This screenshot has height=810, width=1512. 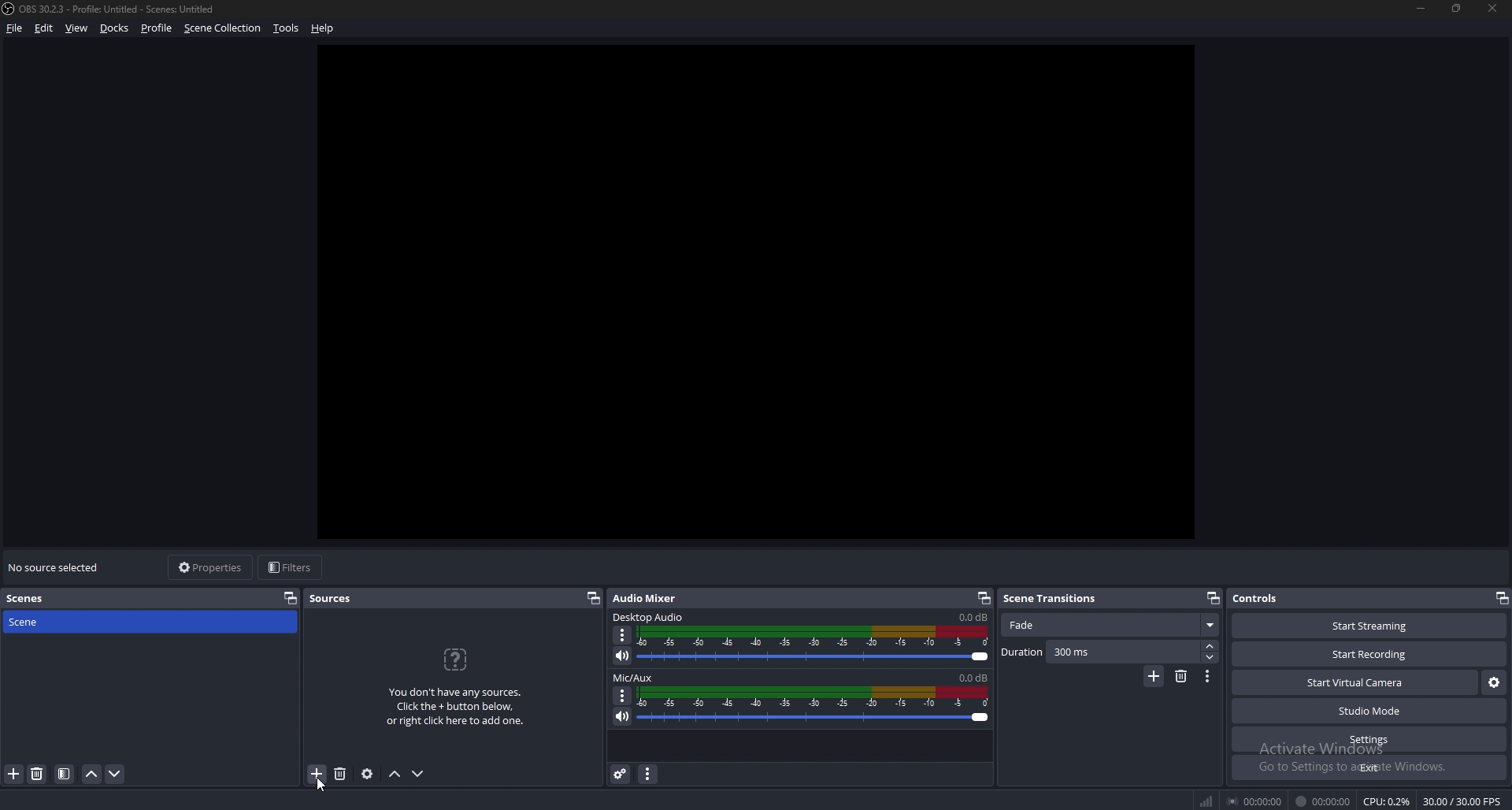 What do you see at coordinates (1367, 740) in the screenshot?
I see `settings` at bounding box center [1367, 740].